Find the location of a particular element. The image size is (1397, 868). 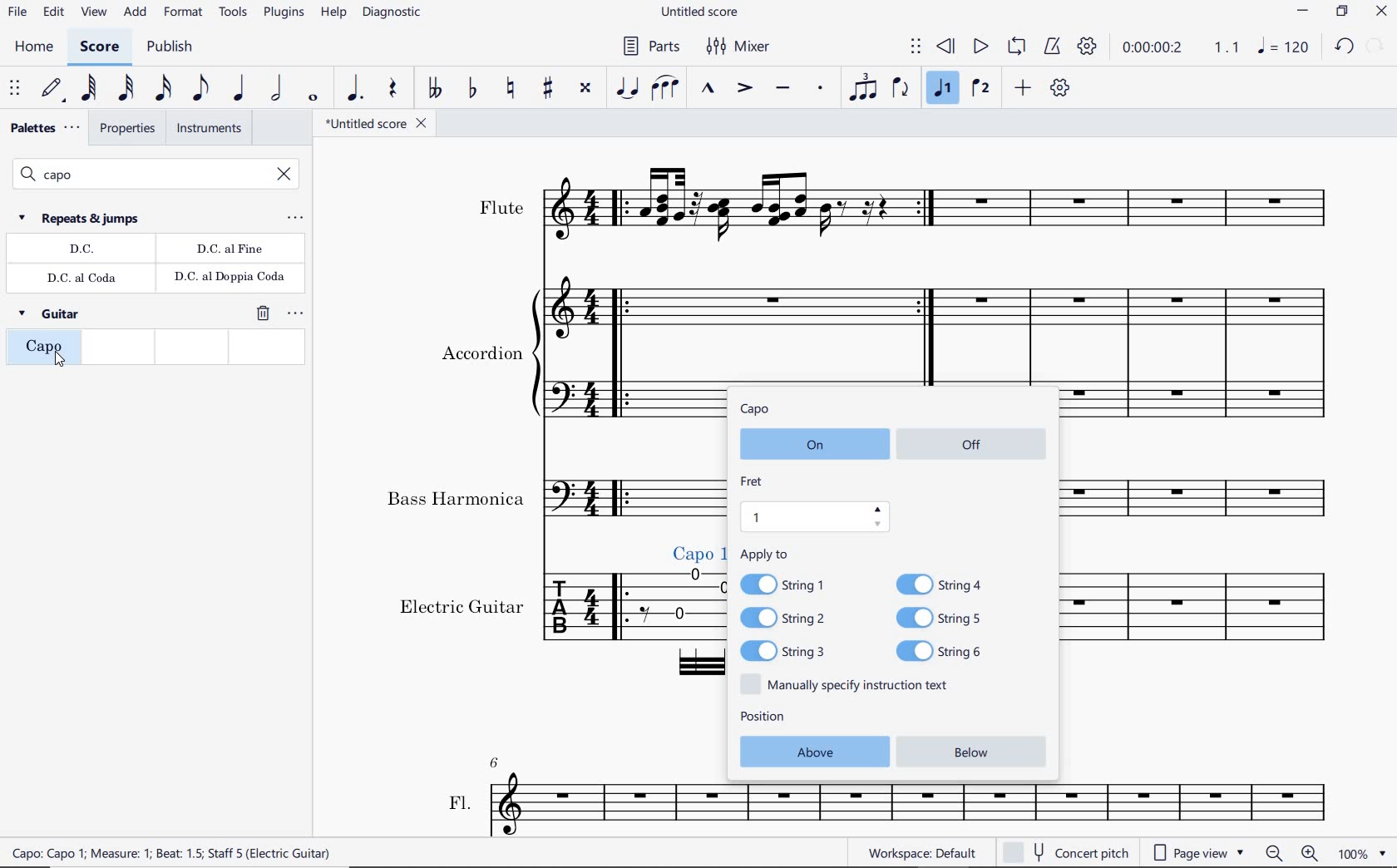

toggle double-flat is located at coordinates (432, 89).